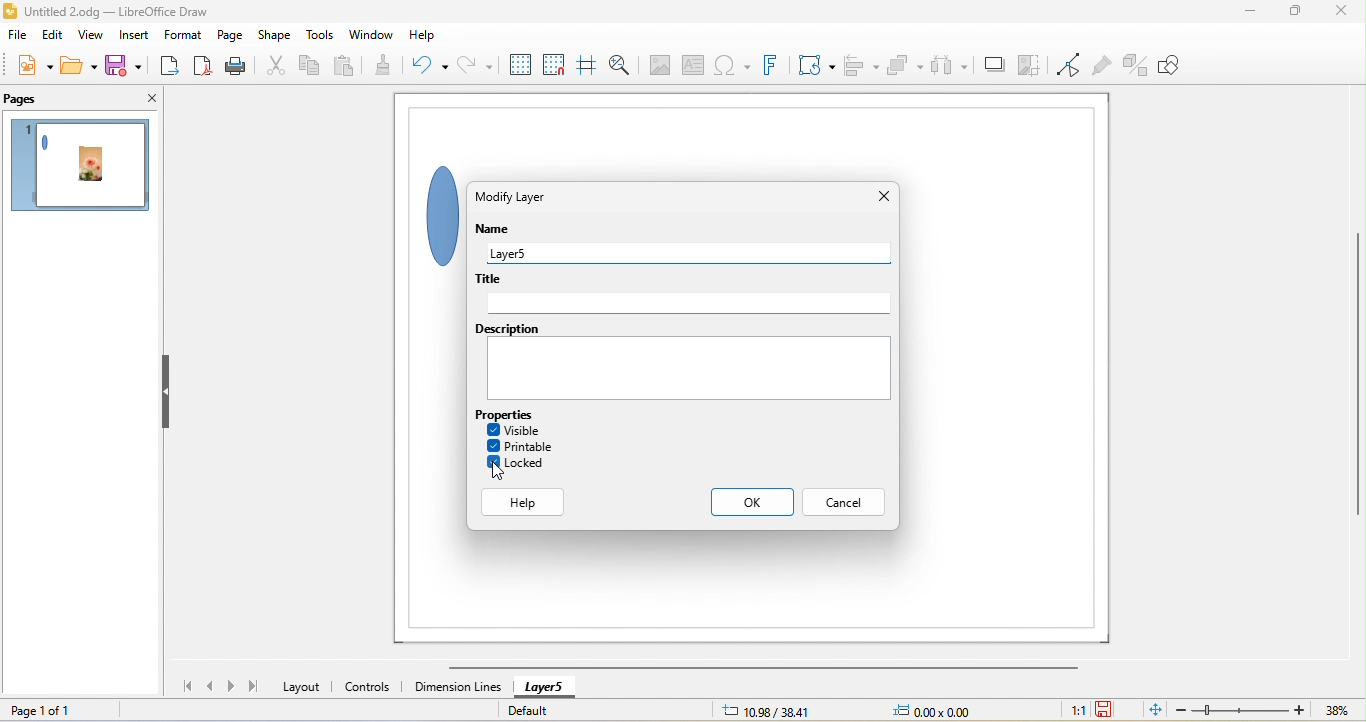  I want to click on display grid, so click(517, 64).